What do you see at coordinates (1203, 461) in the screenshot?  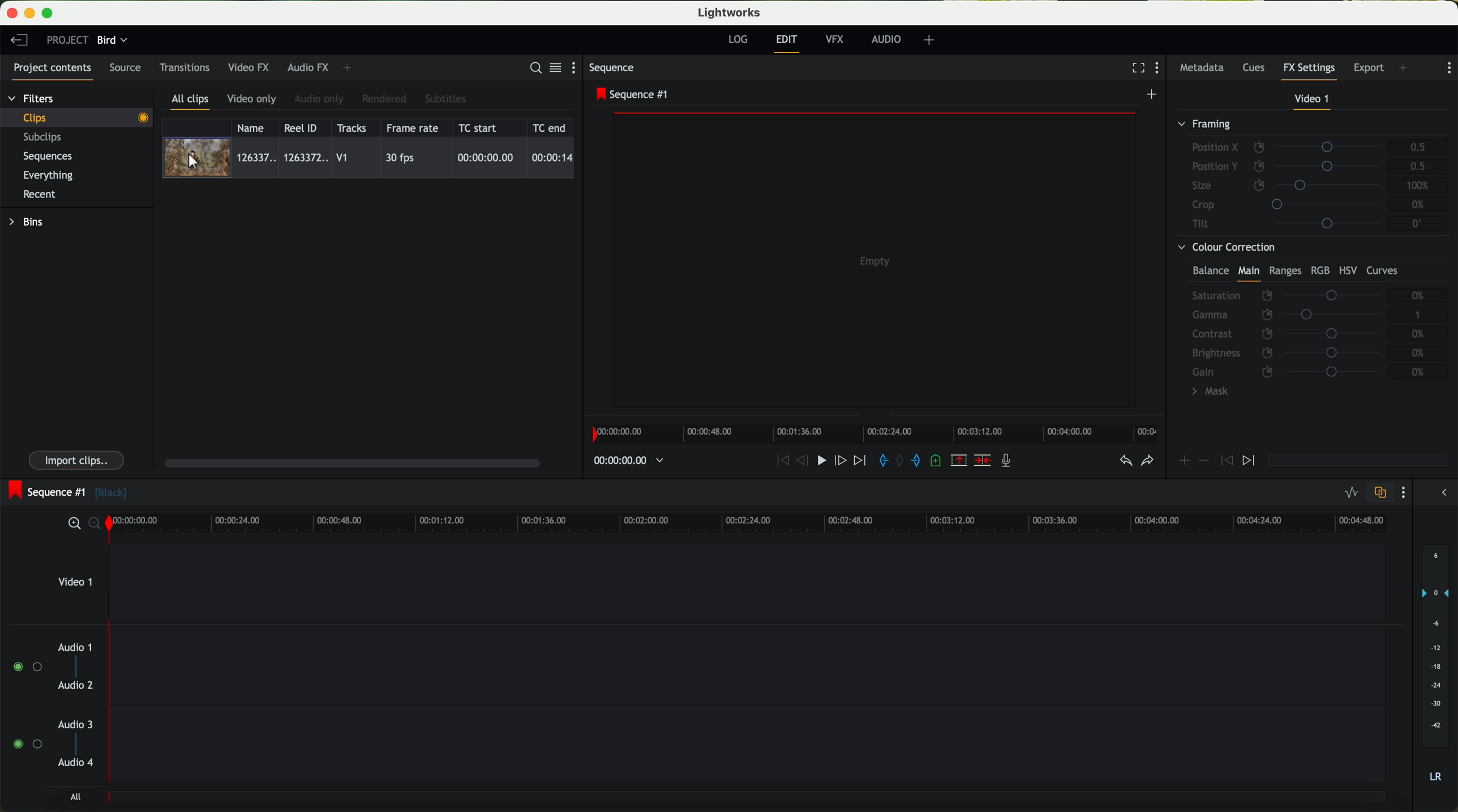 I see `icon` at bounding box center [1203, 461].